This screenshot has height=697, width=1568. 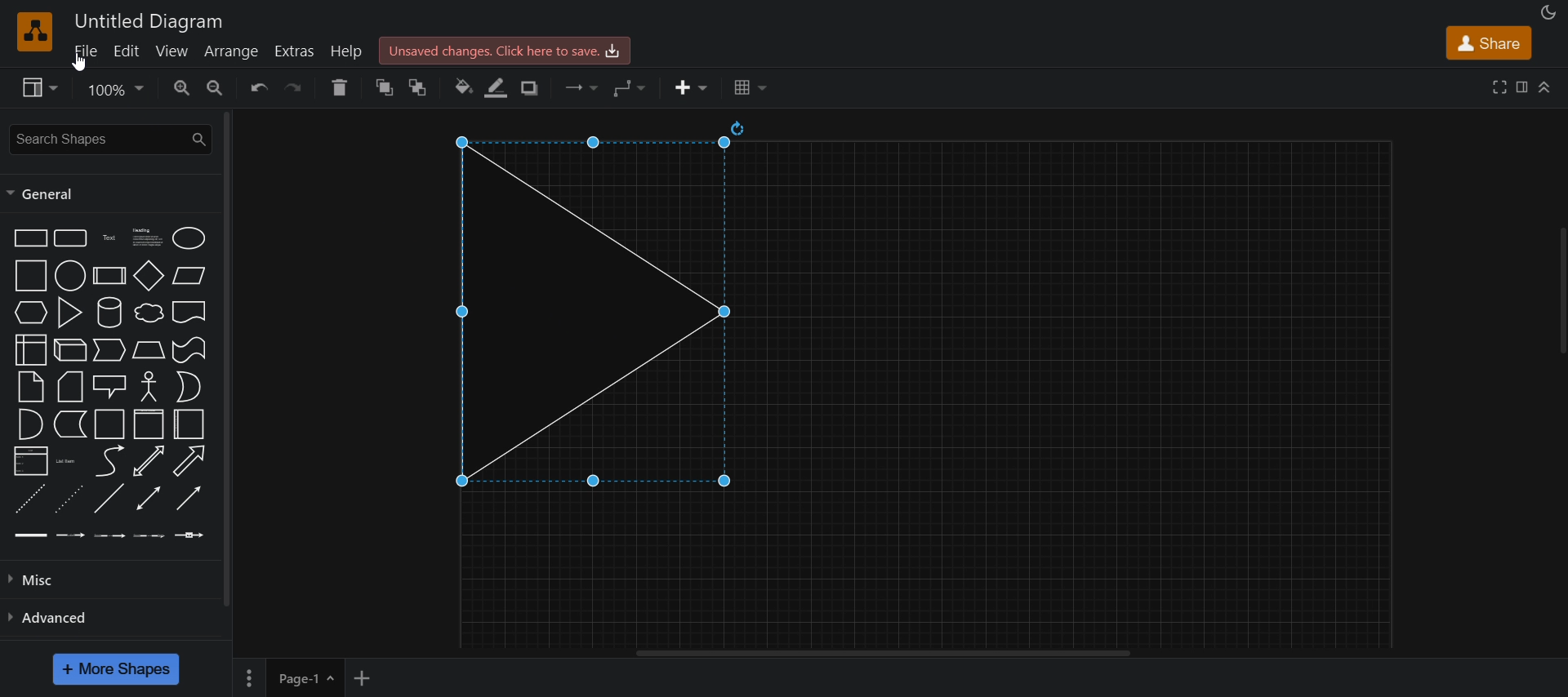 What do you see at coordinates (129, 50) in the screenshot?
I see `edit` at bounding box center [129, 50].